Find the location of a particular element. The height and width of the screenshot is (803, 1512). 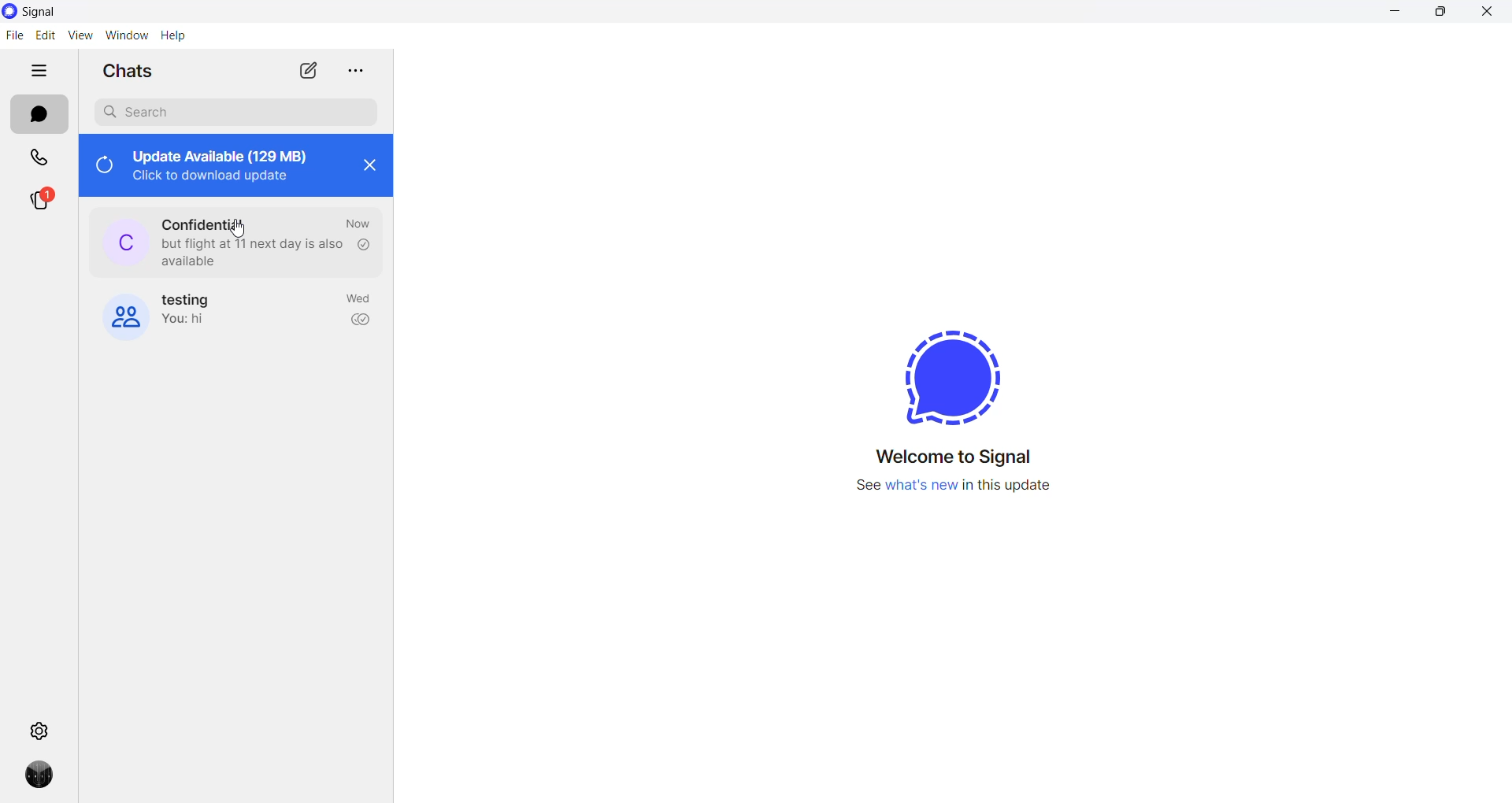

new chat is located at coordinates (306, 69).